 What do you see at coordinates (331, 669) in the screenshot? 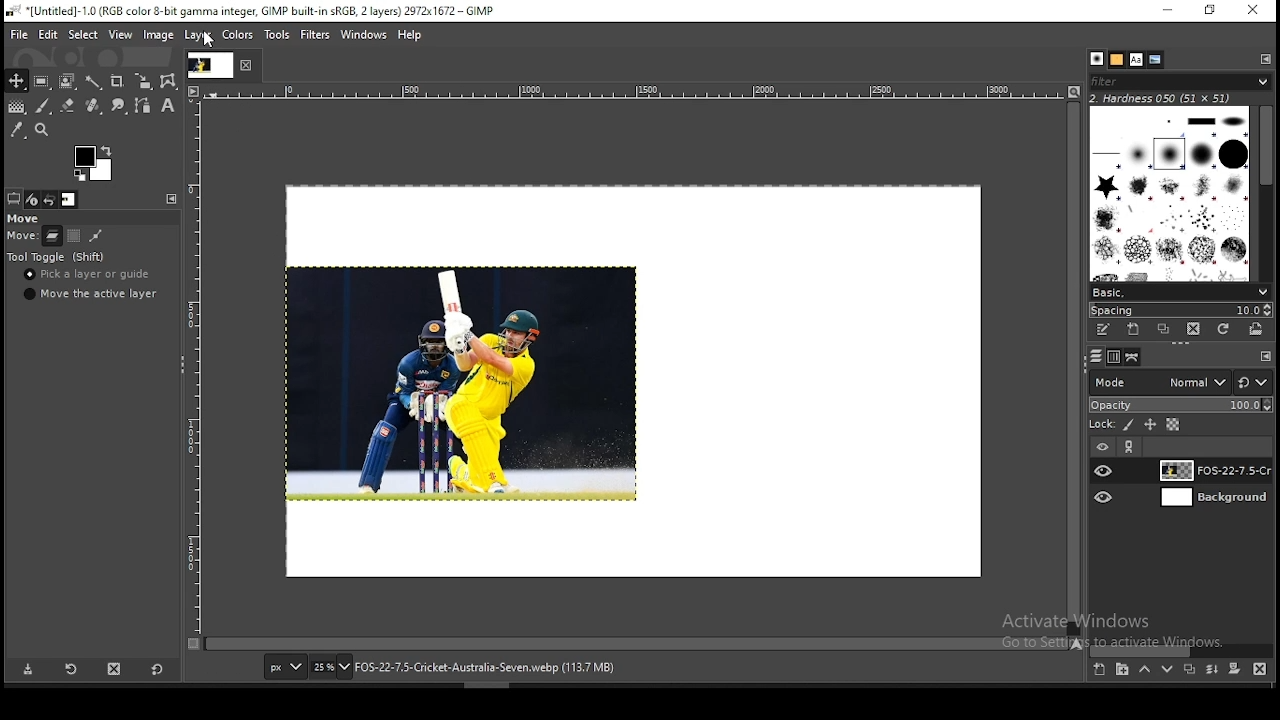
I see `zoom status` at bounding box center [331, 669].